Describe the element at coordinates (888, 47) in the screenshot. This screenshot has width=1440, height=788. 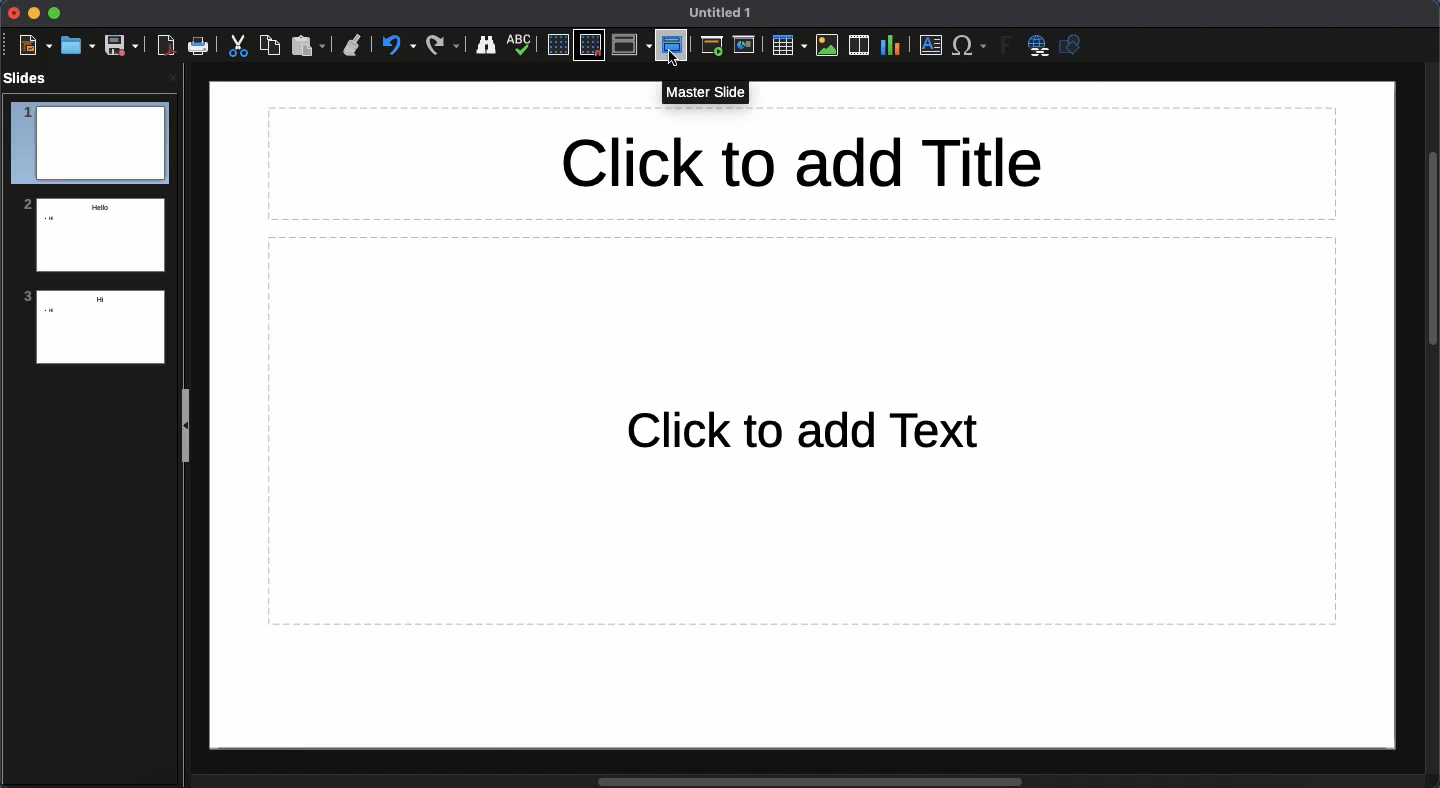
I see `Chart` at that location.